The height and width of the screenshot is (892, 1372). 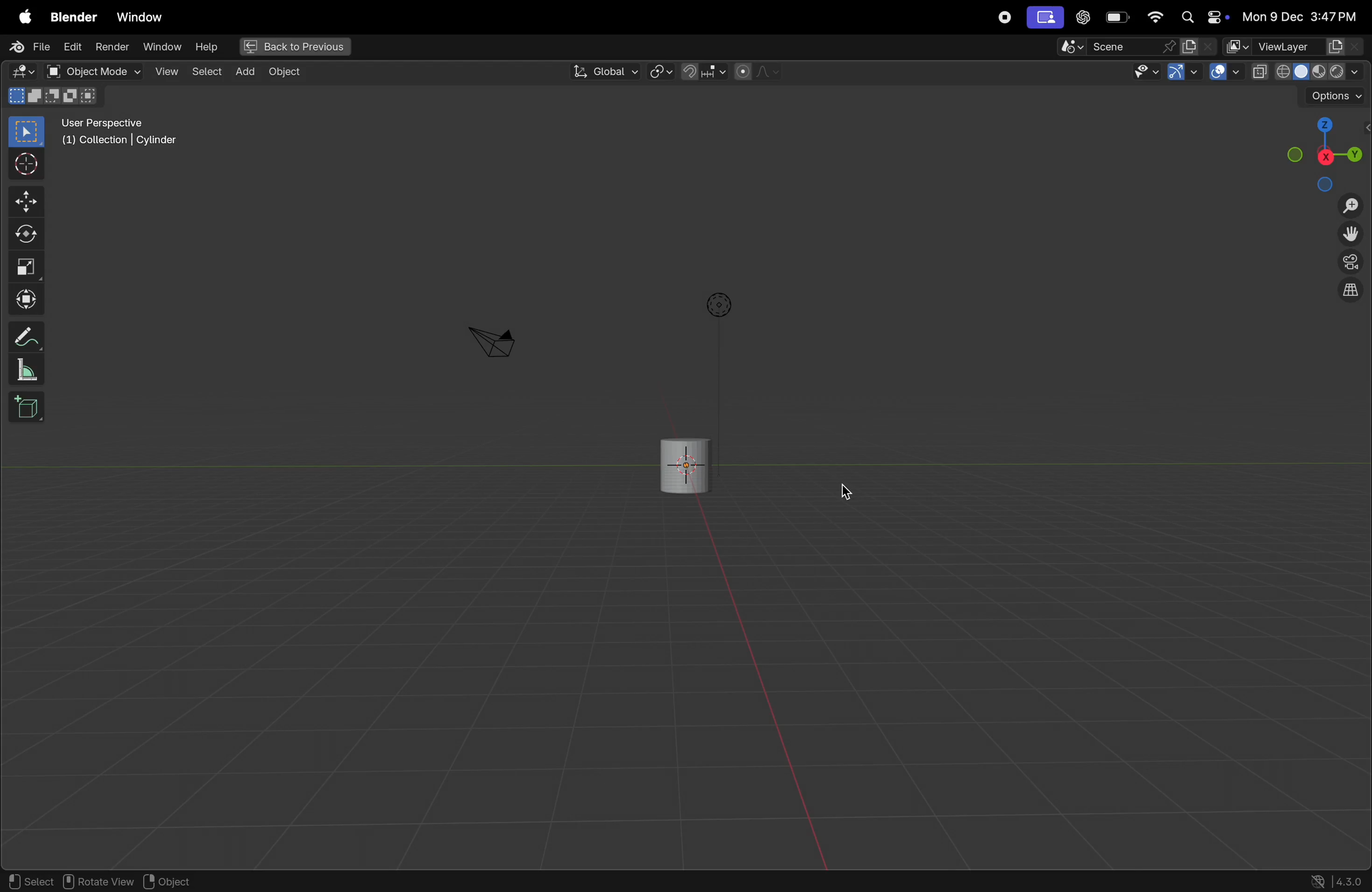 I want to click on record, so click(x=1002, y=17).